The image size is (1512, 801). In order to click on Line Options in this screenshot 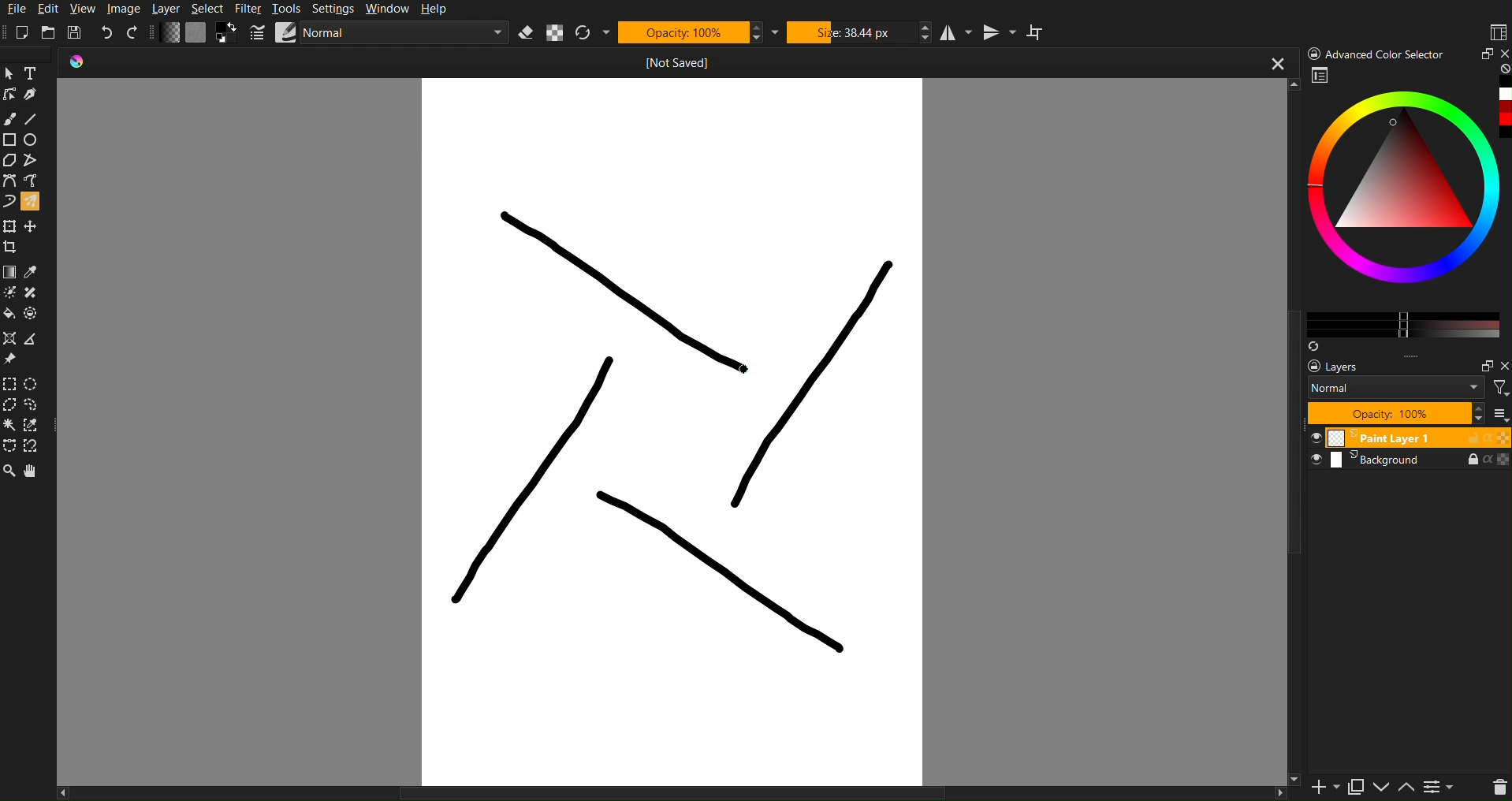, I will do `click(258, 33)`.